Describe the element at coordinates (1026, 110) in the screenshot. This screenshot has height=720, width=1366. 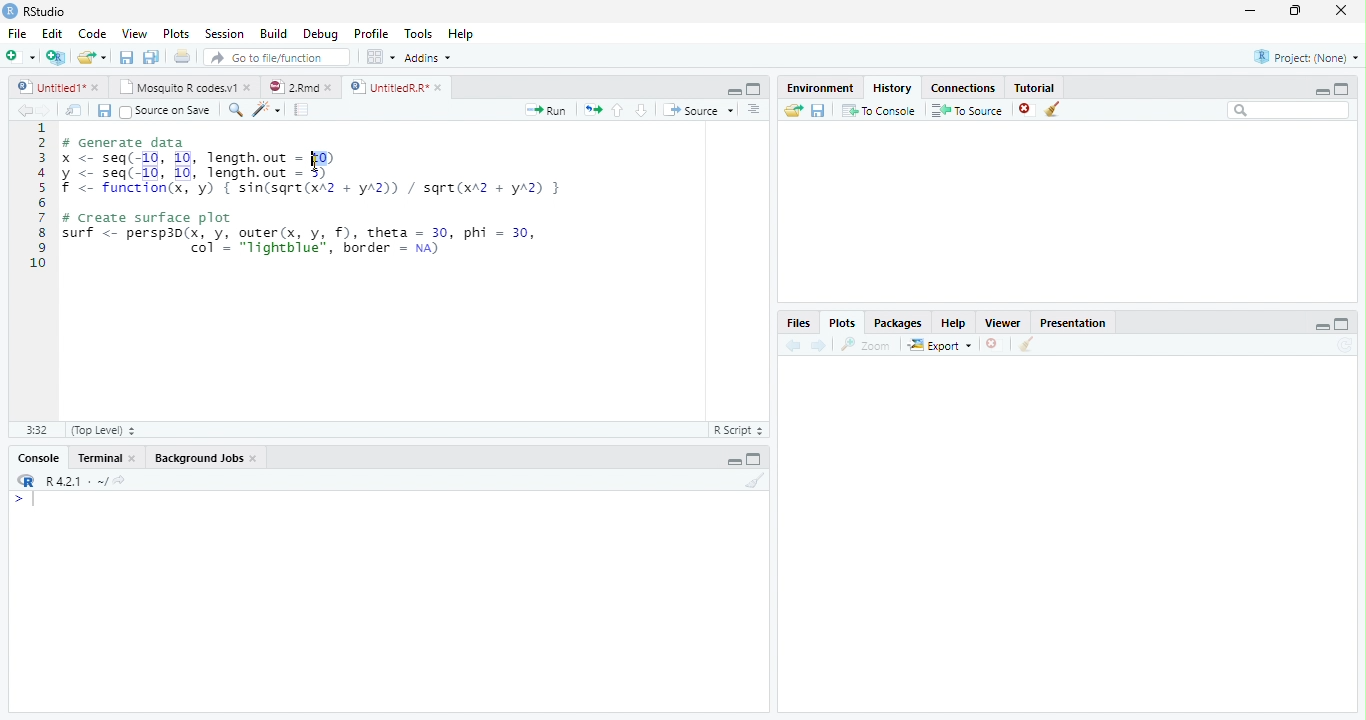
I see `Remove the selected history entries` at that location.